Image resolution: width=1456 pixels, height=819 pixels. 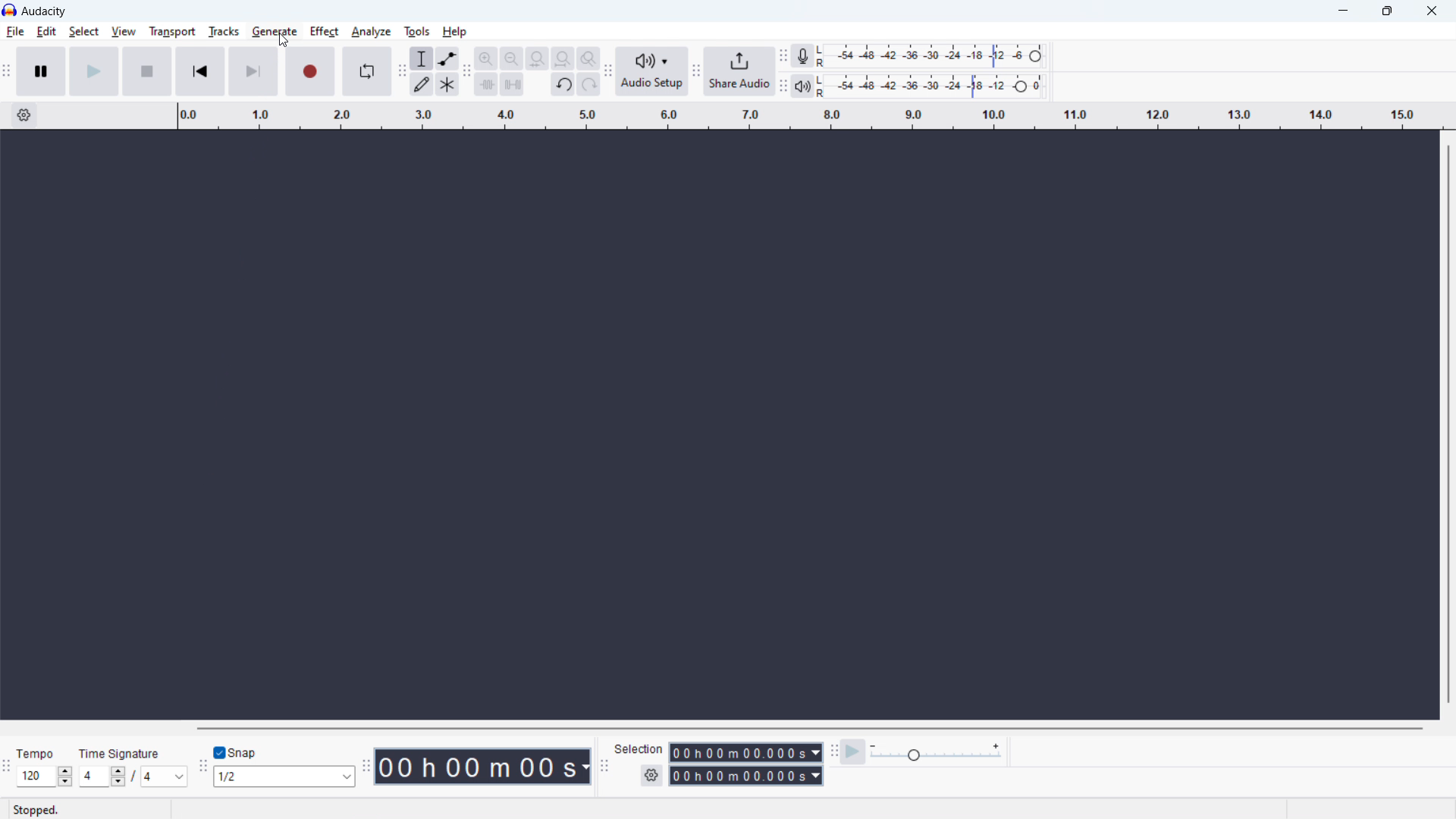 I want to click on timeline settings, so click(x=23, y=116).